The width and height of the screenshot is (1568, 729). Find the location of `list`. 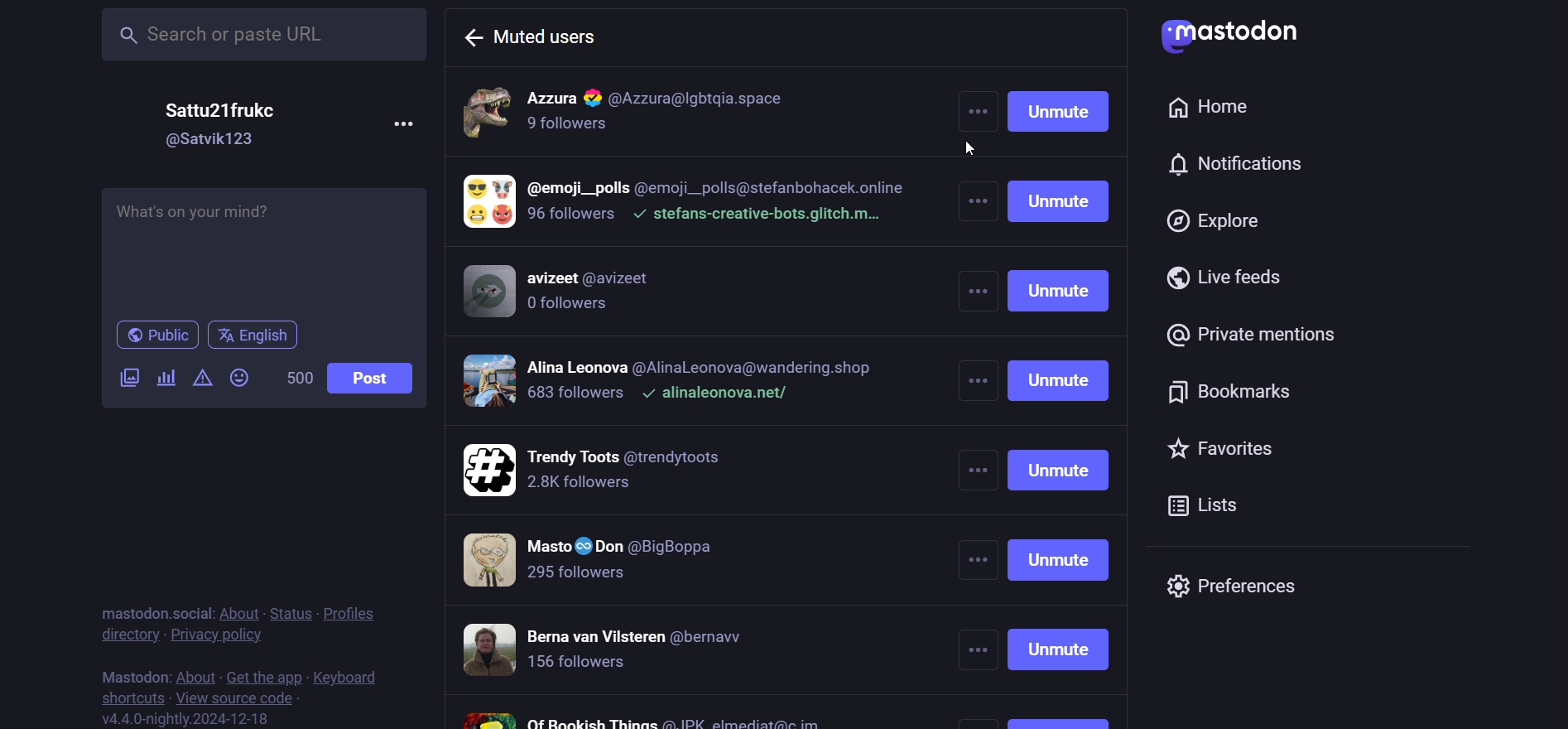

list is located at coordinates (1208, 503).